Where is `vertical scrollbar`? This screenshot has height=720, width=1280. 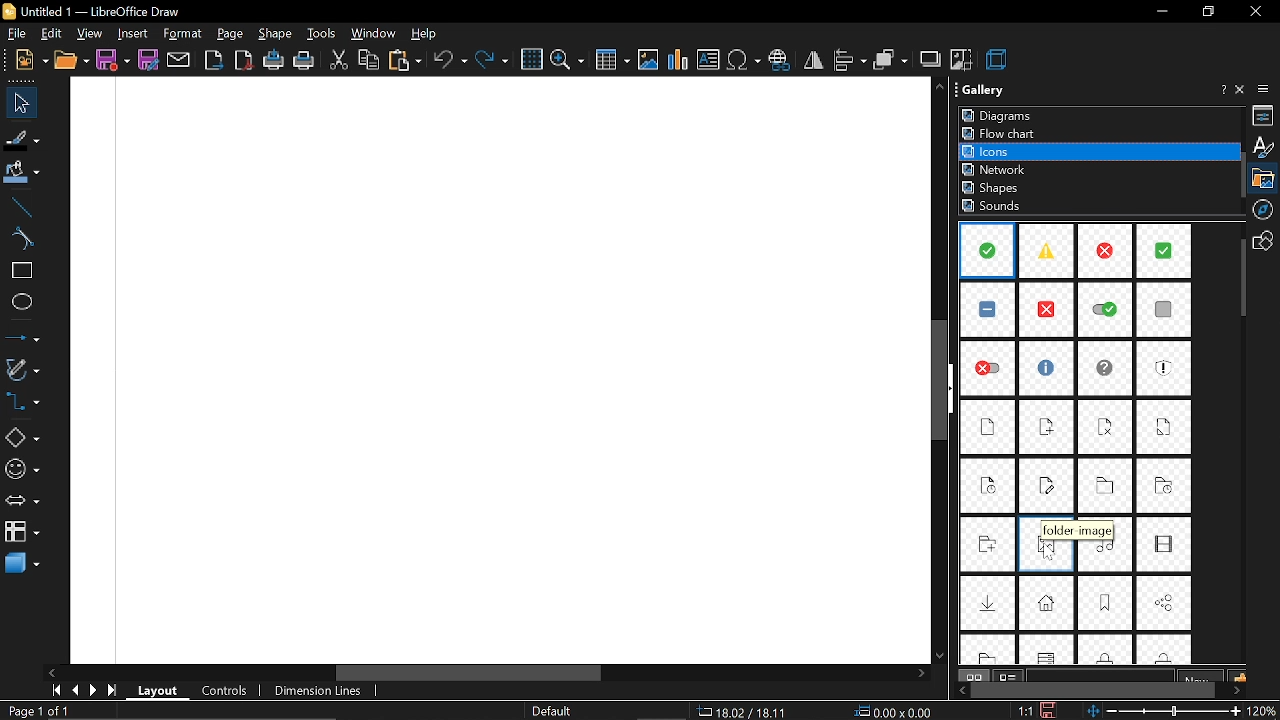
vertical scrollbar is located at coordinates (1240, 279).